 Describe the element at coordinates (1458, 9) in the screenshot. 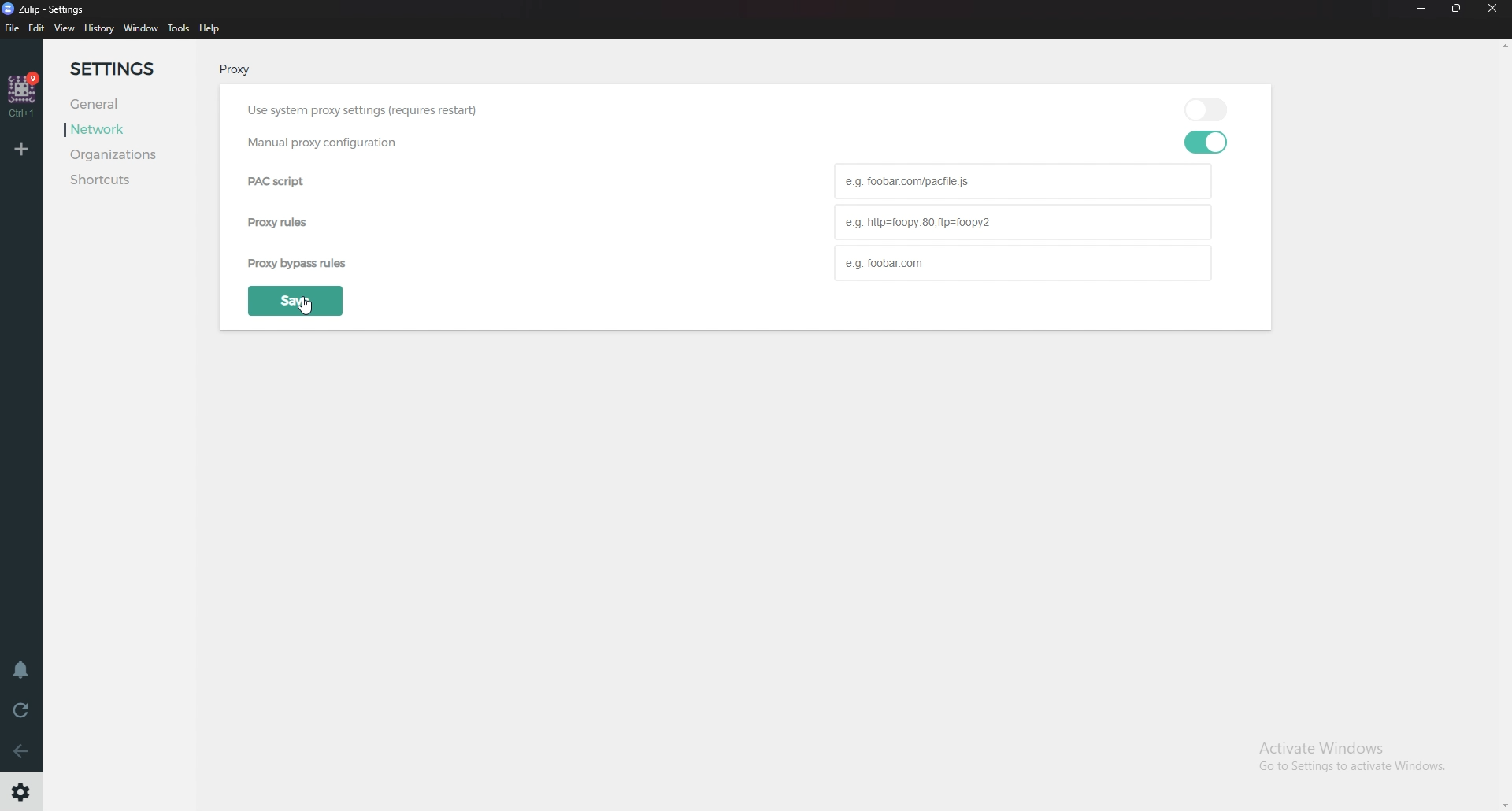

I see `resize` at that location.